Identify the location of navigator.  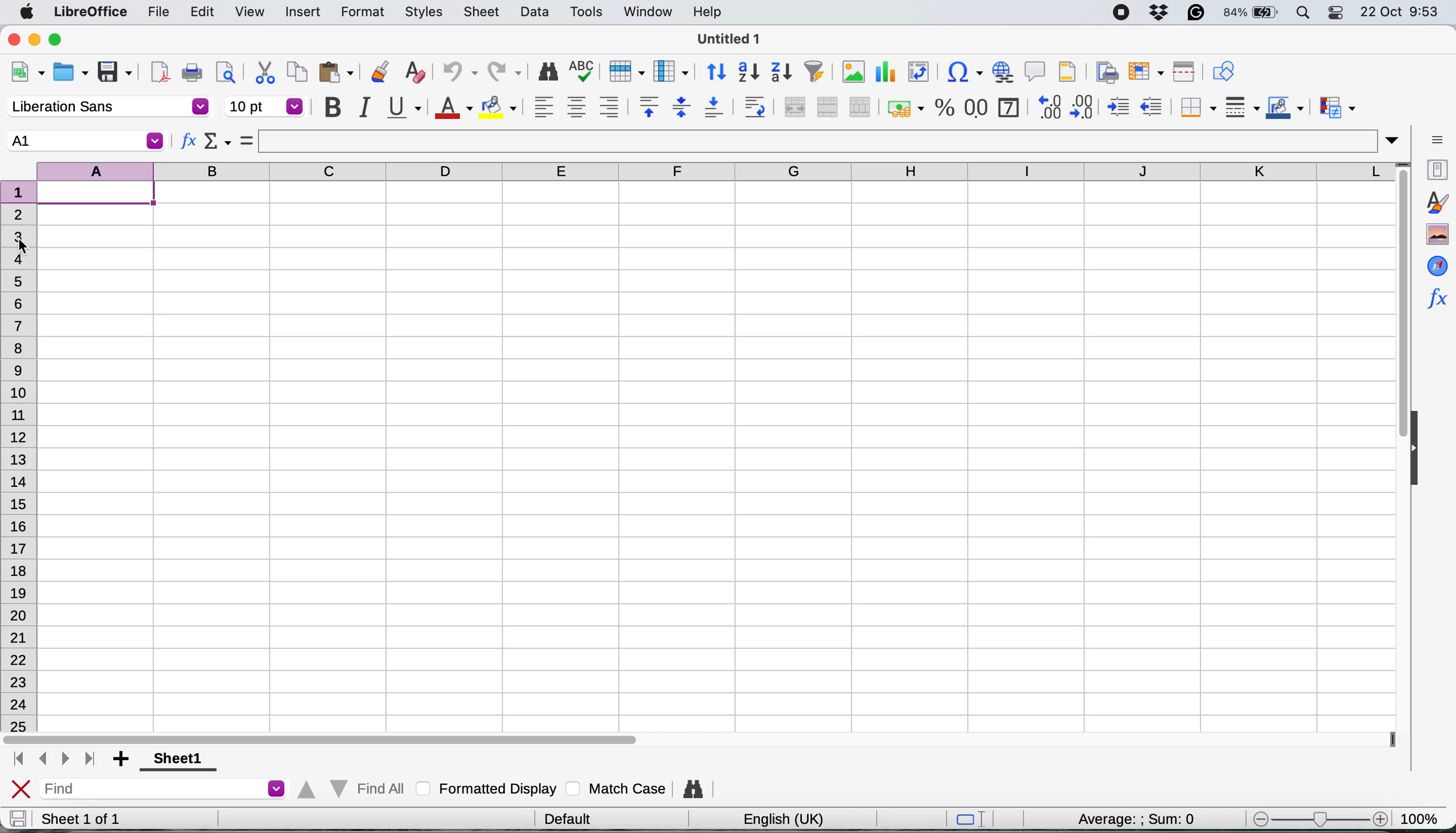
(1437, 265).